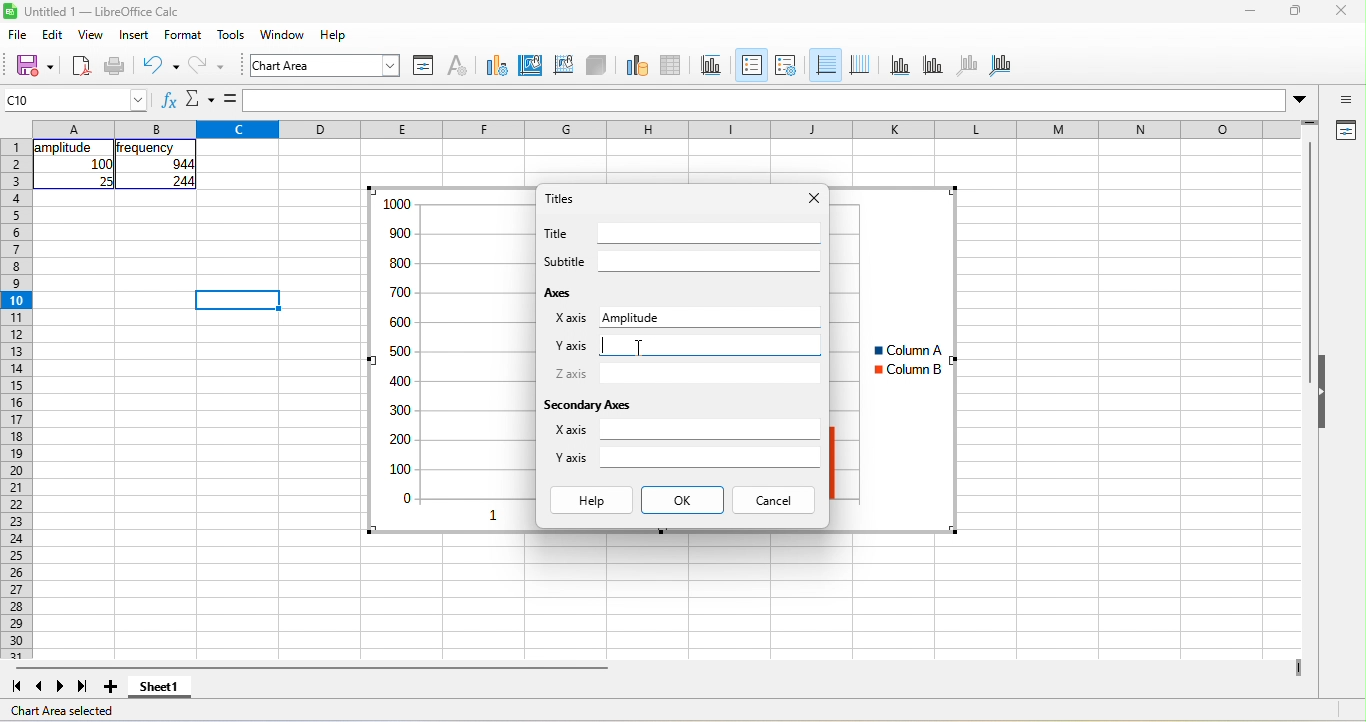 This screenshot has height=722, width=1366. I want to click on export directly as pdf, so click(81, 67).